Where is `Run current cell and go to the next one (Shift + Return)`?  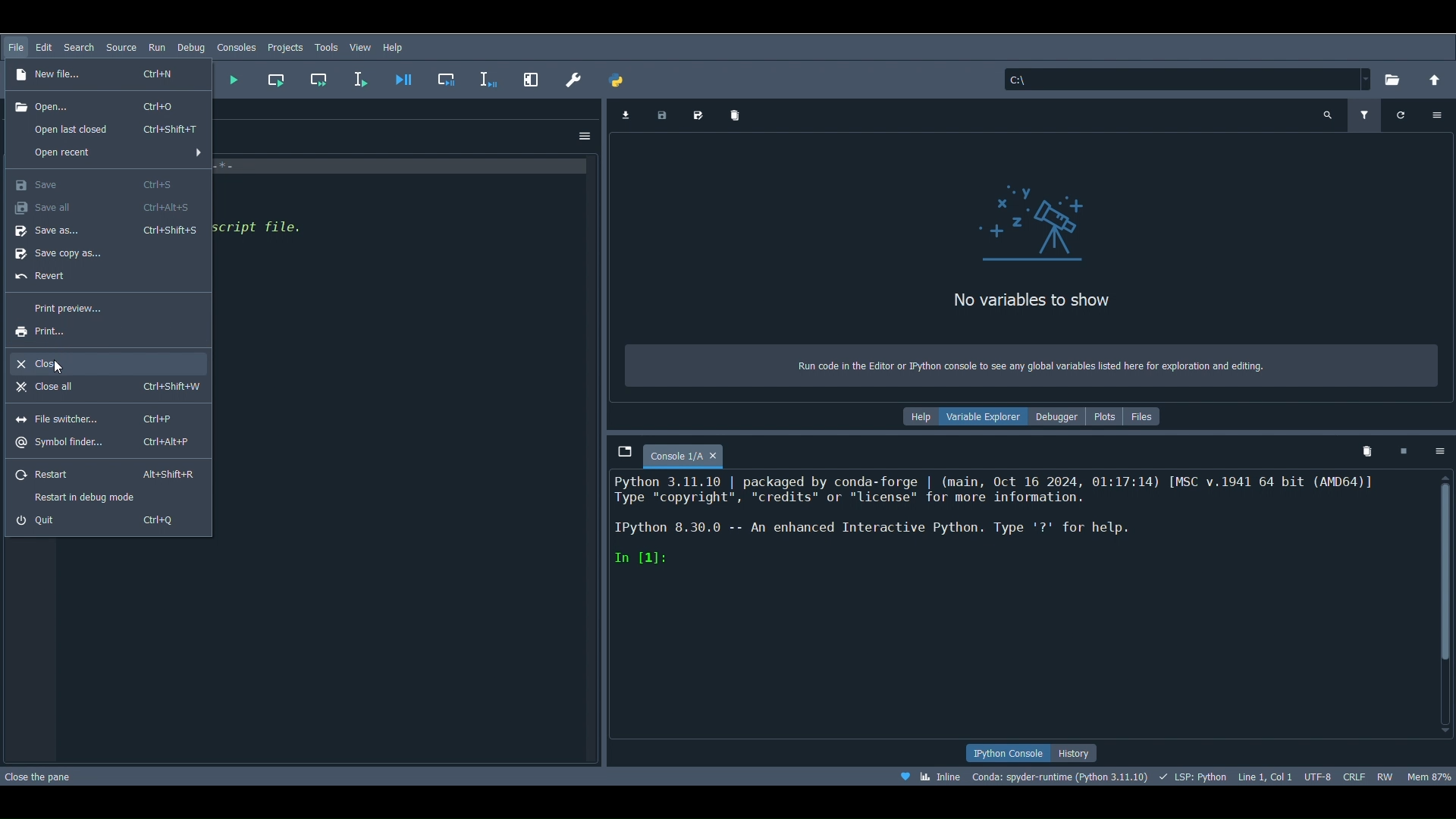
Run current cell and go to the next one (Shift + Return) is located at coordinates (318, 76).